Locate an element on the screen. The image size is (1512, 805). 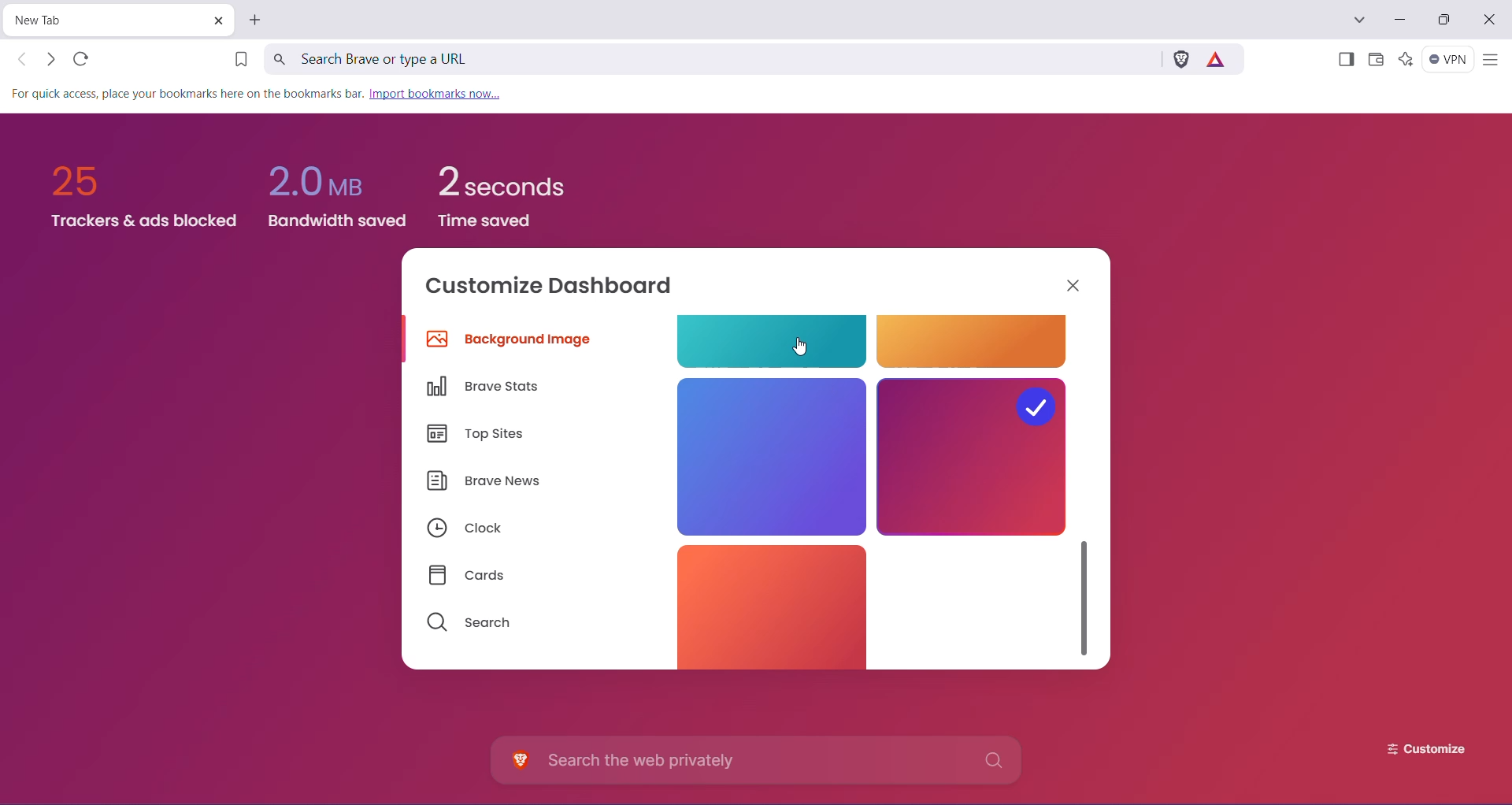
Cards is located at coordinates (473, 576).